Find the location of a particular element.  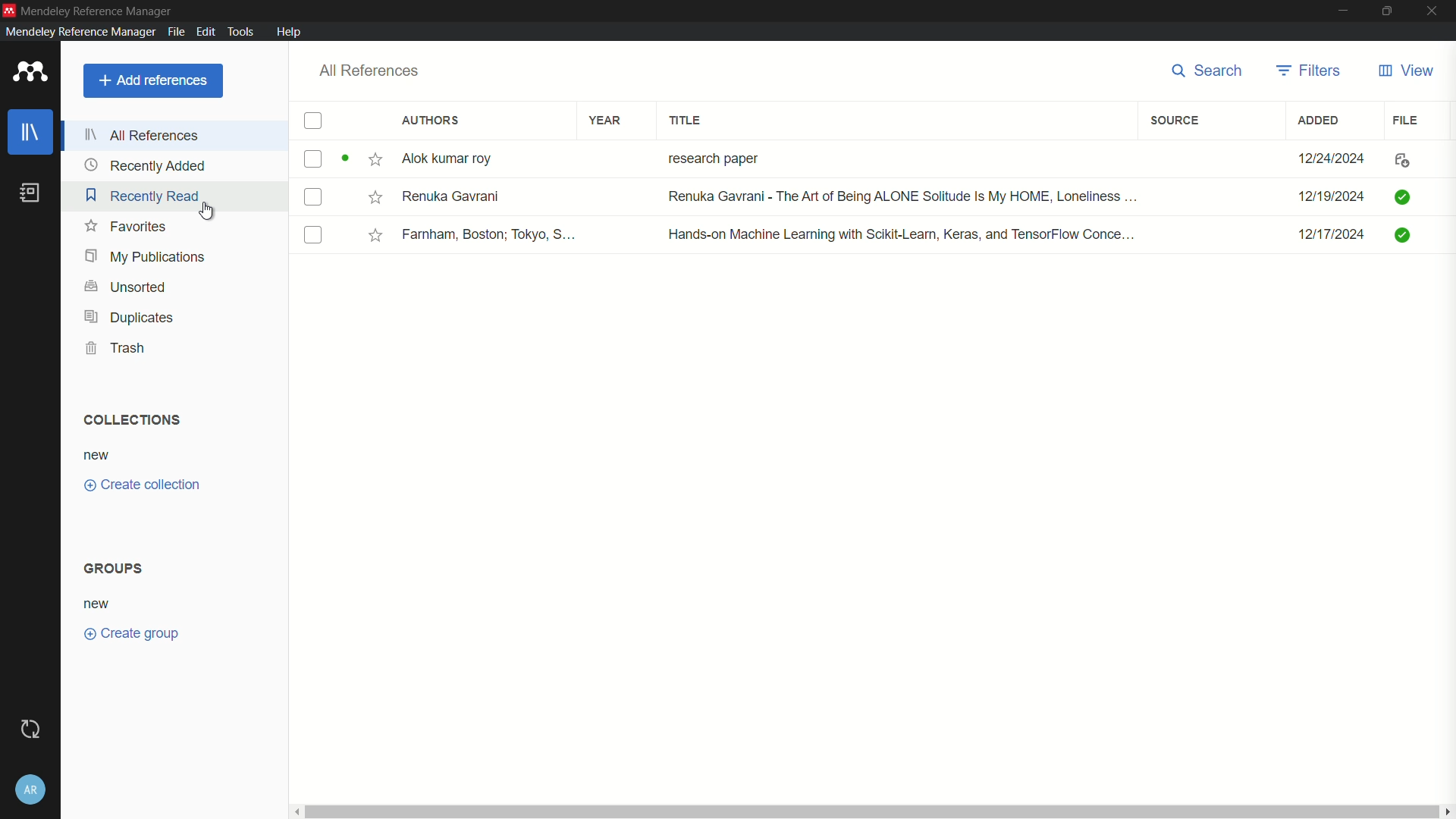

file is located at coordinates (1406, 119).